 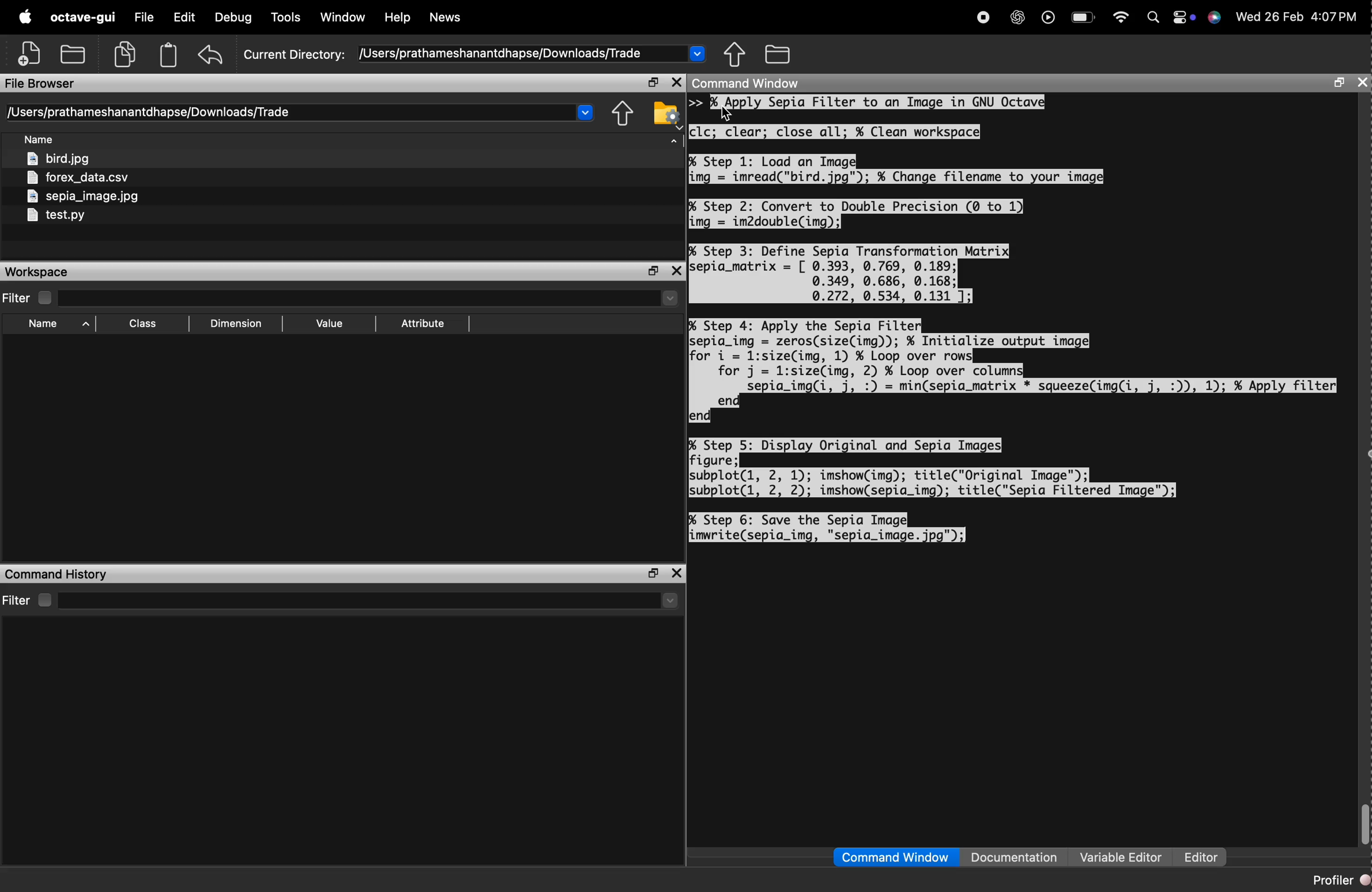 I want to click on support, so click(x=1213, y=18).